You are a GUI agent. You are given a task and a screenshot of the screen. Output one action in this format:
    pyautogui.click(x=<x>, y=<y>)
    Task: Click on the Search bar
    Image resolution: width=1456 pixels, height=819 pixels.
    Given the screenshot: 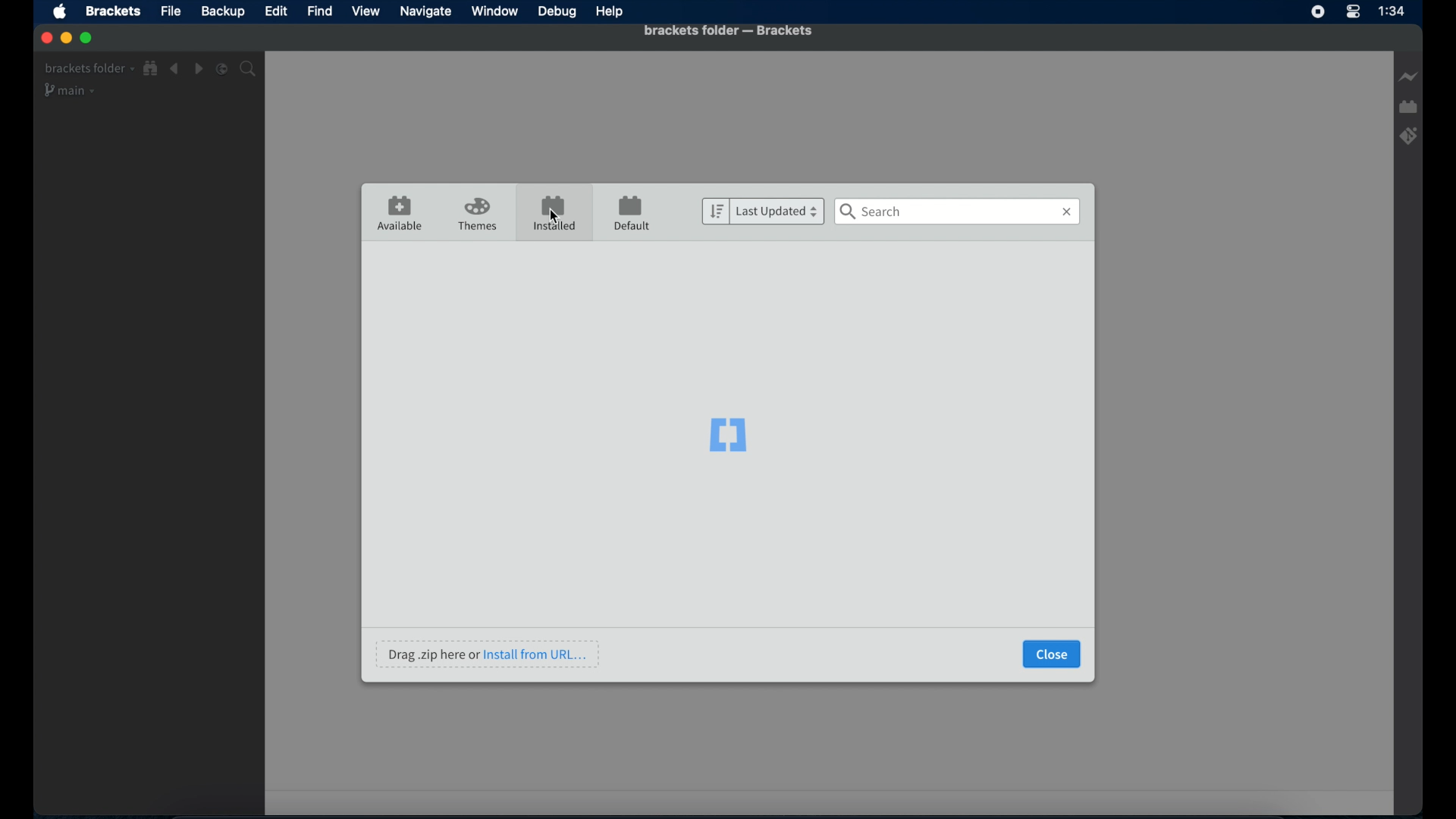 What is the action you would take?
    pyautogui.click(x=248, y=69)
    